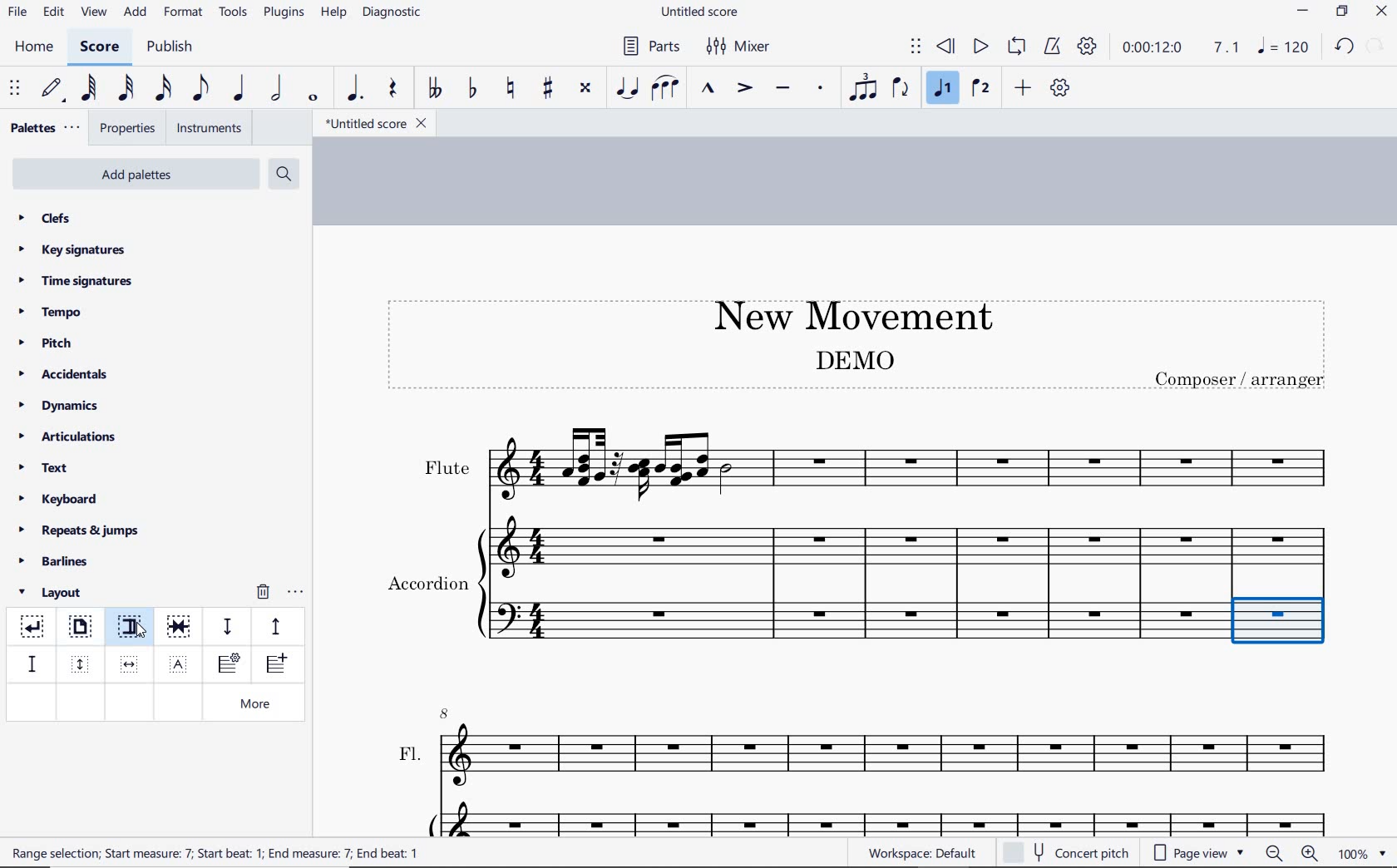 The width and height of the screenshot is (1397, 868). What do you see at coordinates (274, 666) in the screenshot?
I see `insert one measure before selection` at bounding box center [274, 666].